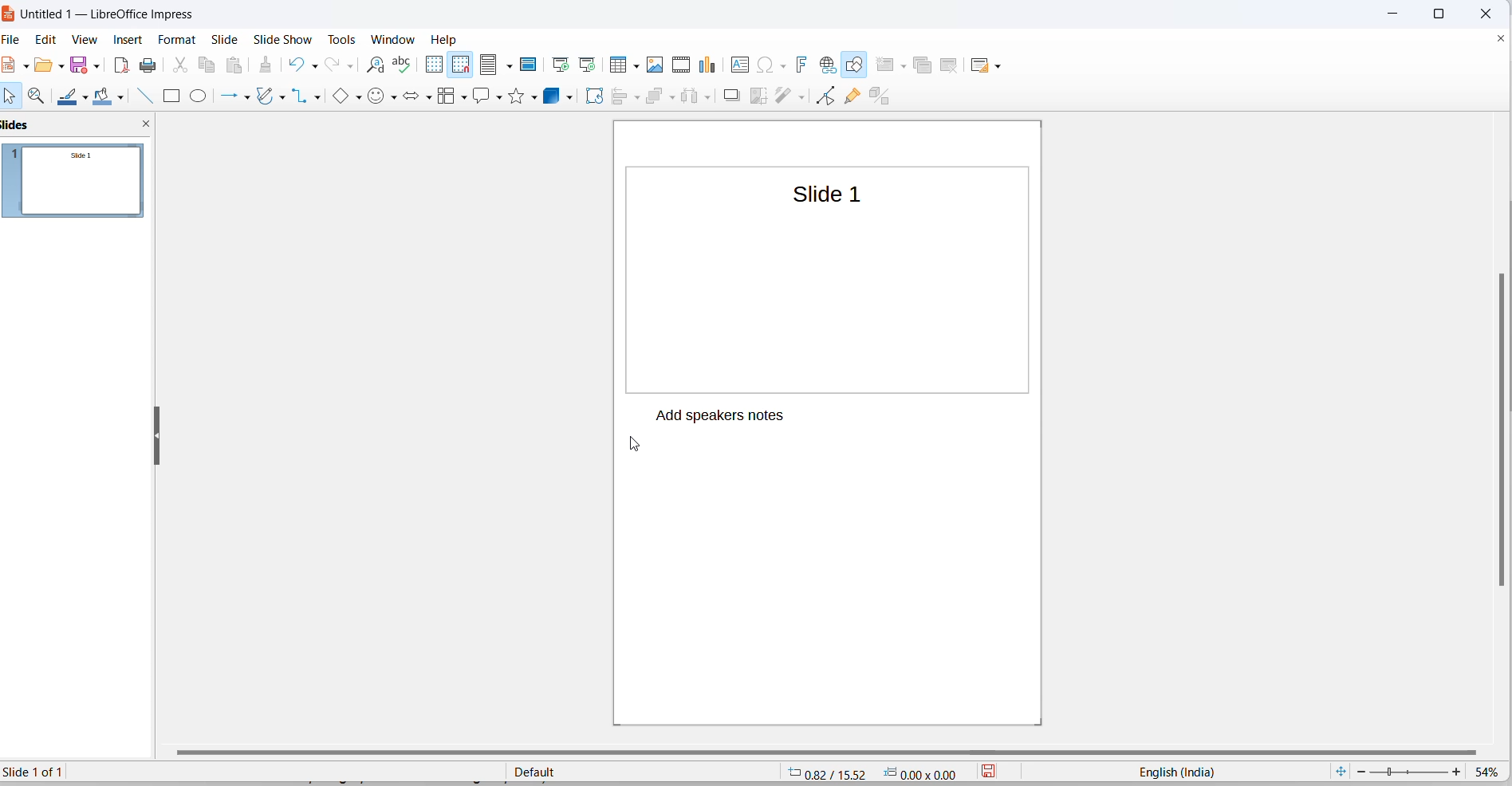 The height and width of the screenshot is (786, 1512). Describe the element at coordinates (765, 65) in the screenshot. I see `insert special characters` at that location.